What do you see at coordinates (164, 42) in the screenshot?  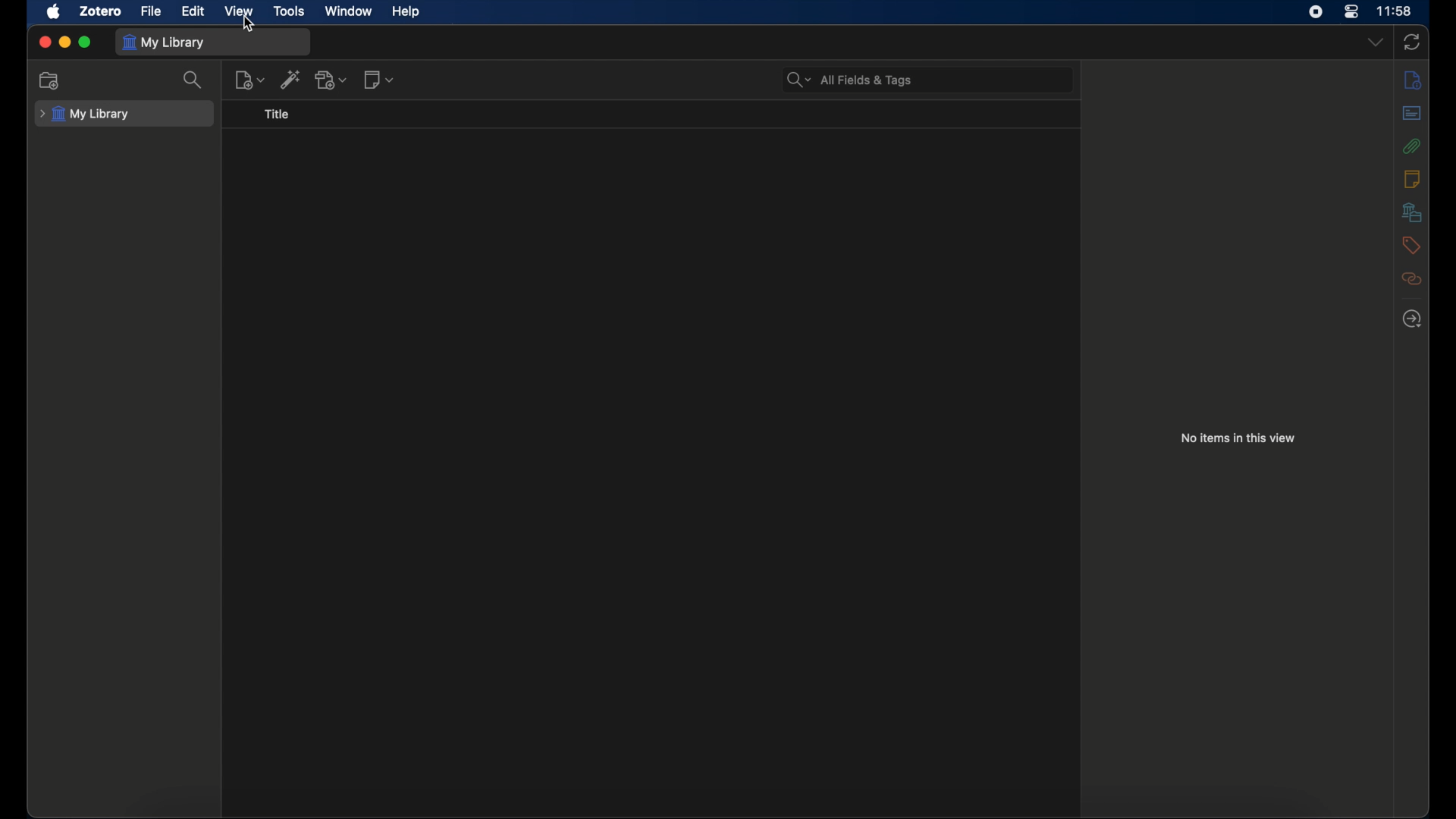 I see `my library` at bounding box center [164, 42].